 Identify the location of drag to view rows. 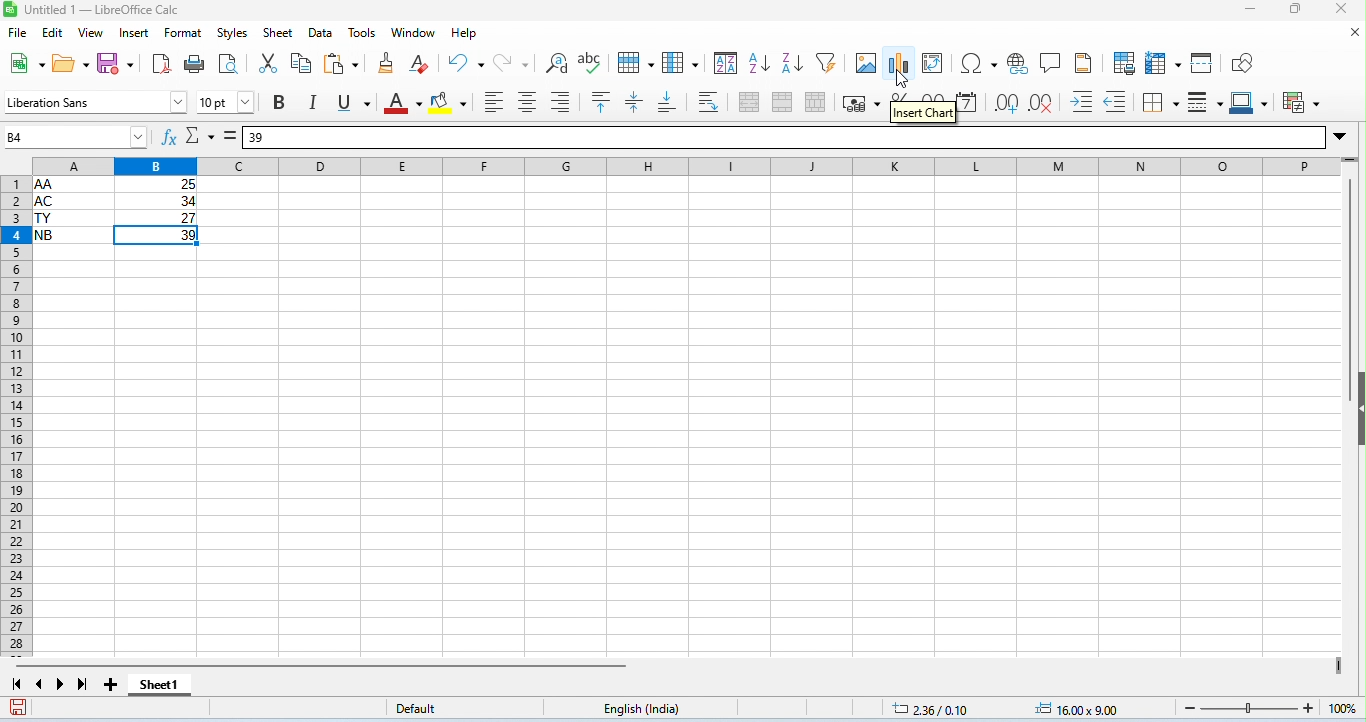
(1350, 160).